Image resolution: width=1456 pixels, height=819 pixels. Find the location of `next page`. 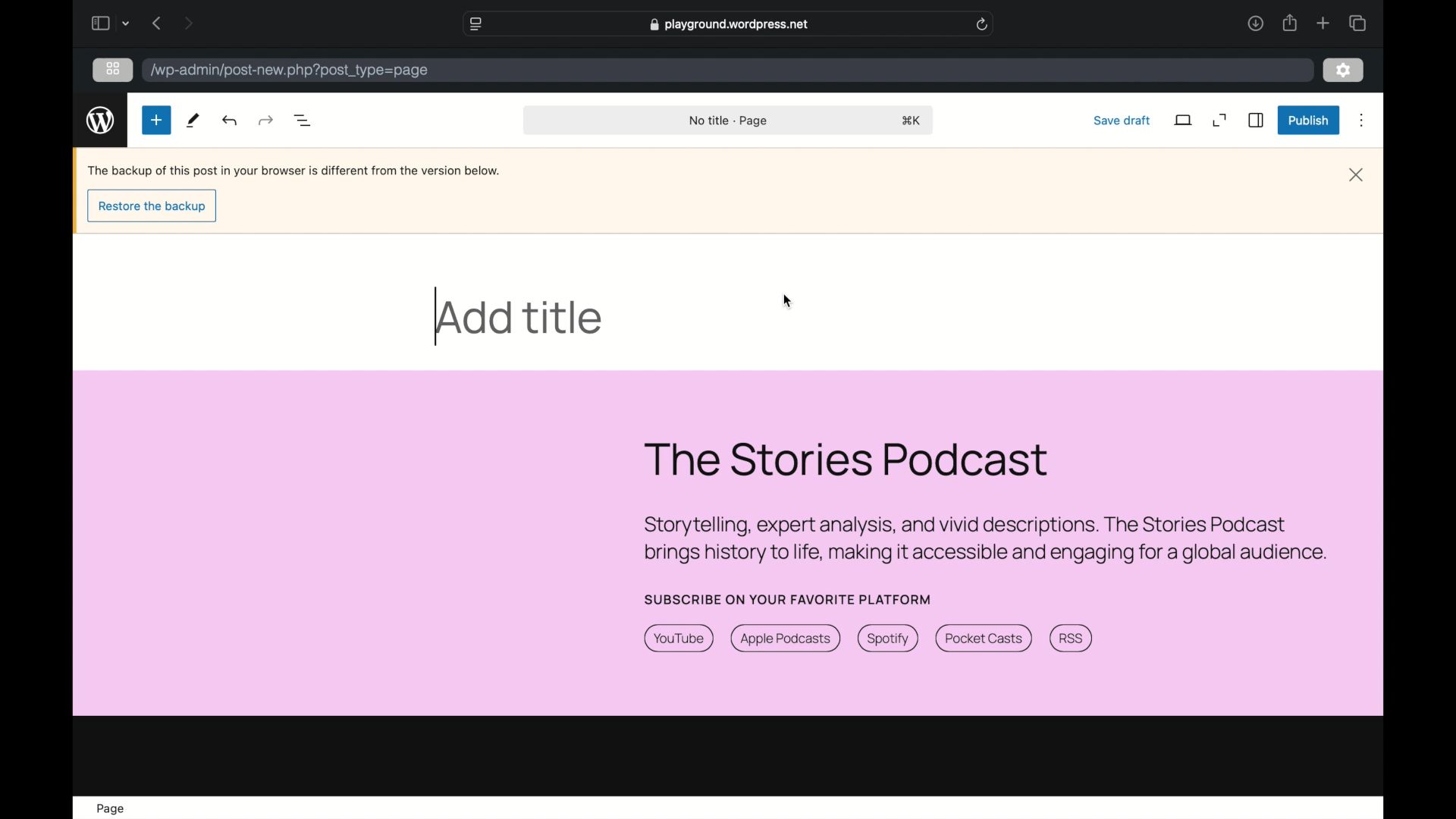

next page is located at coordinates (188, 23).